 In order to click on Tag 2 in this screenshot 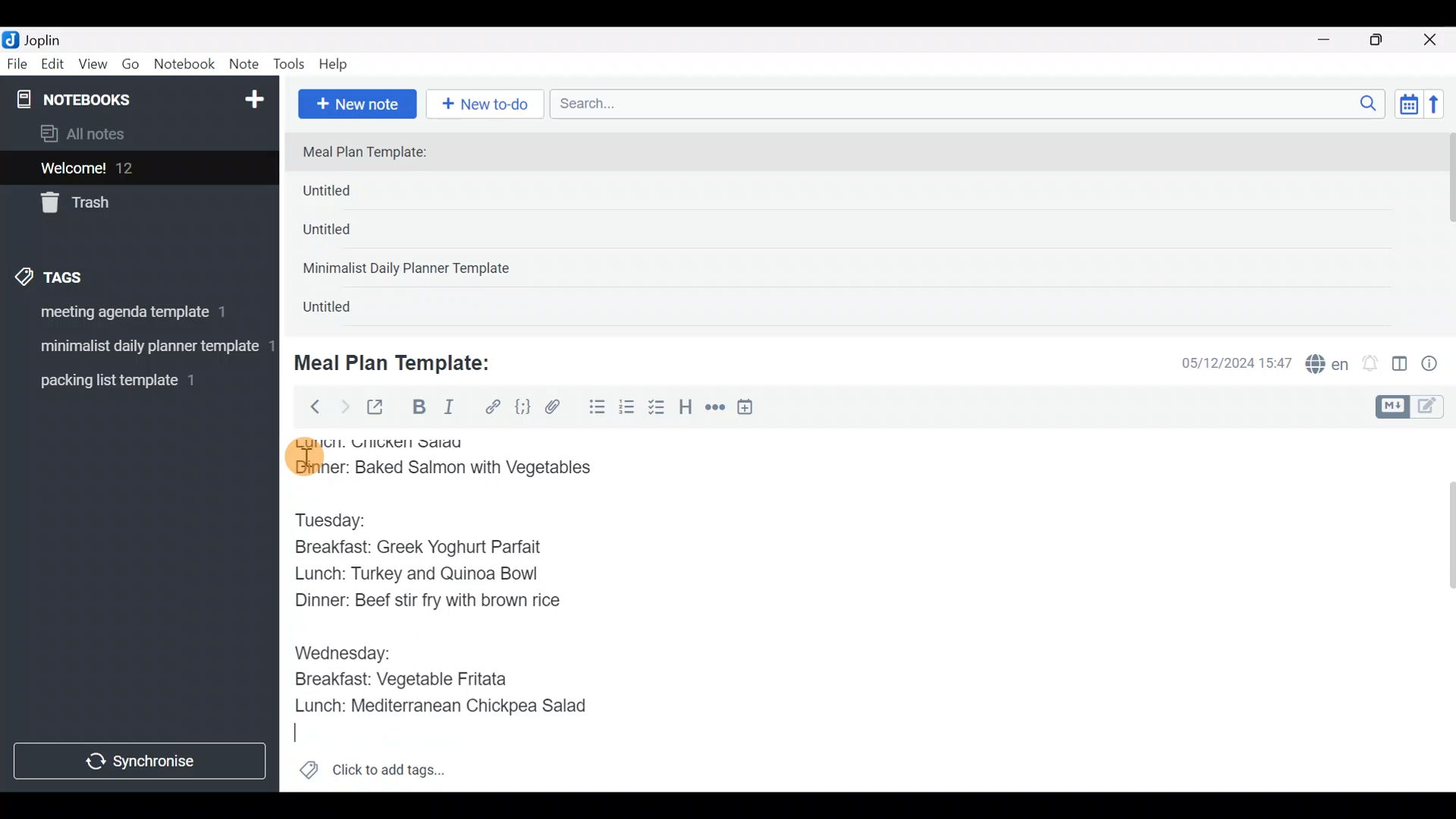, I will do `click(139, 348)`.